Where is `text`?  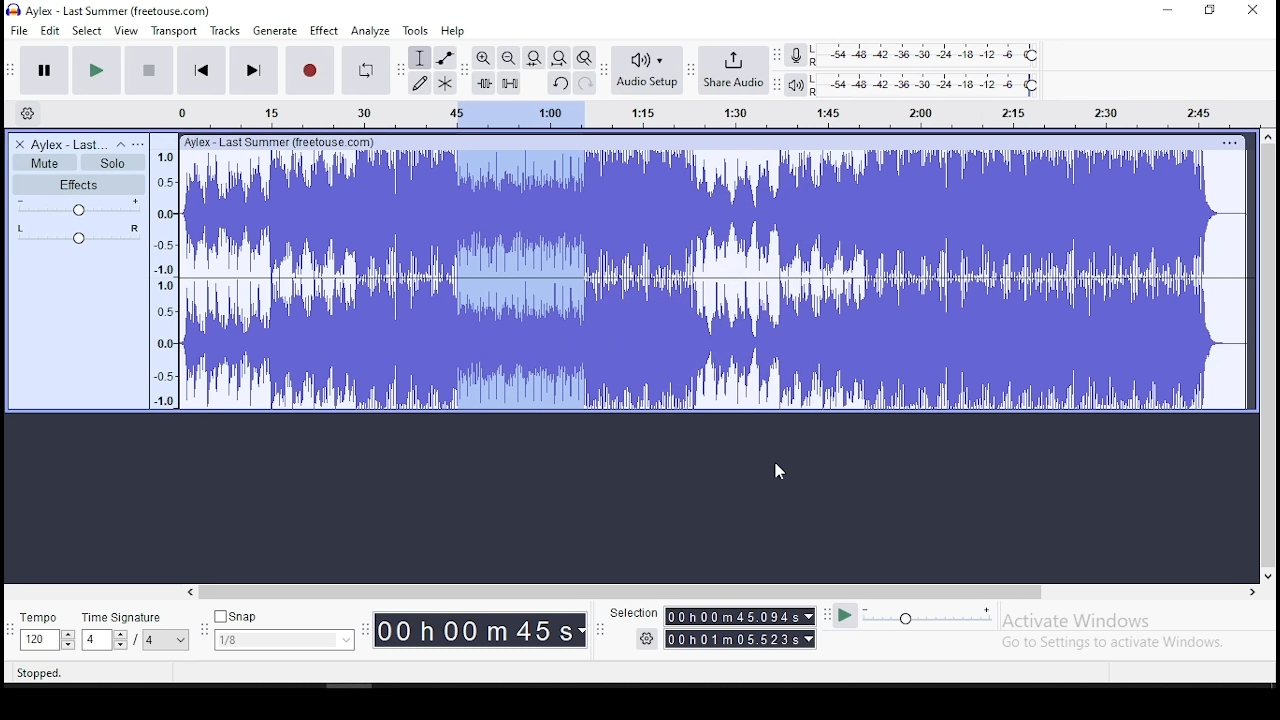 text is located at coordinates (298, 142).